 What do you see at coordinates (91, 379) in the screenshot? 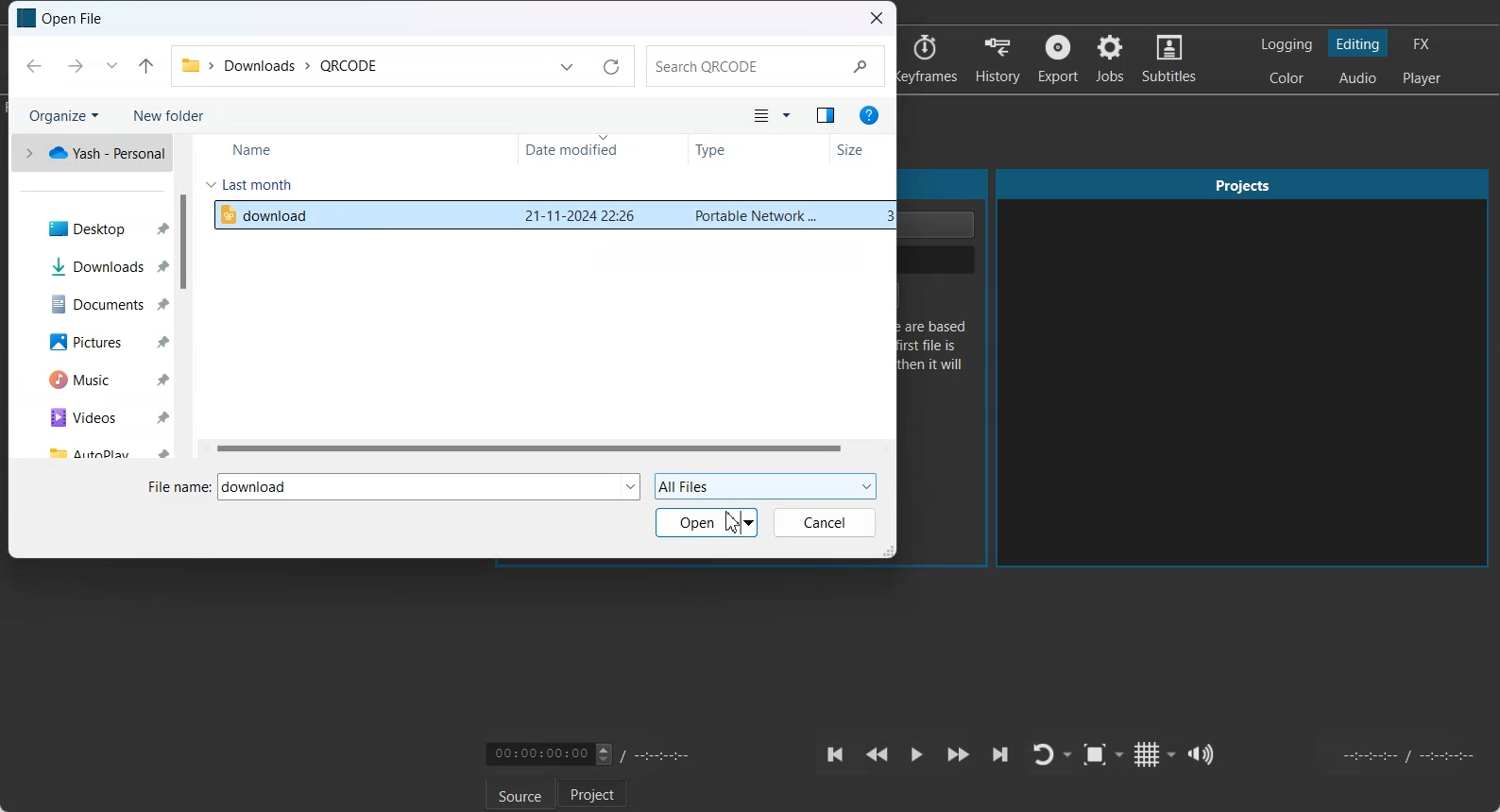
I see `Music` at bounding box center [91, 379].